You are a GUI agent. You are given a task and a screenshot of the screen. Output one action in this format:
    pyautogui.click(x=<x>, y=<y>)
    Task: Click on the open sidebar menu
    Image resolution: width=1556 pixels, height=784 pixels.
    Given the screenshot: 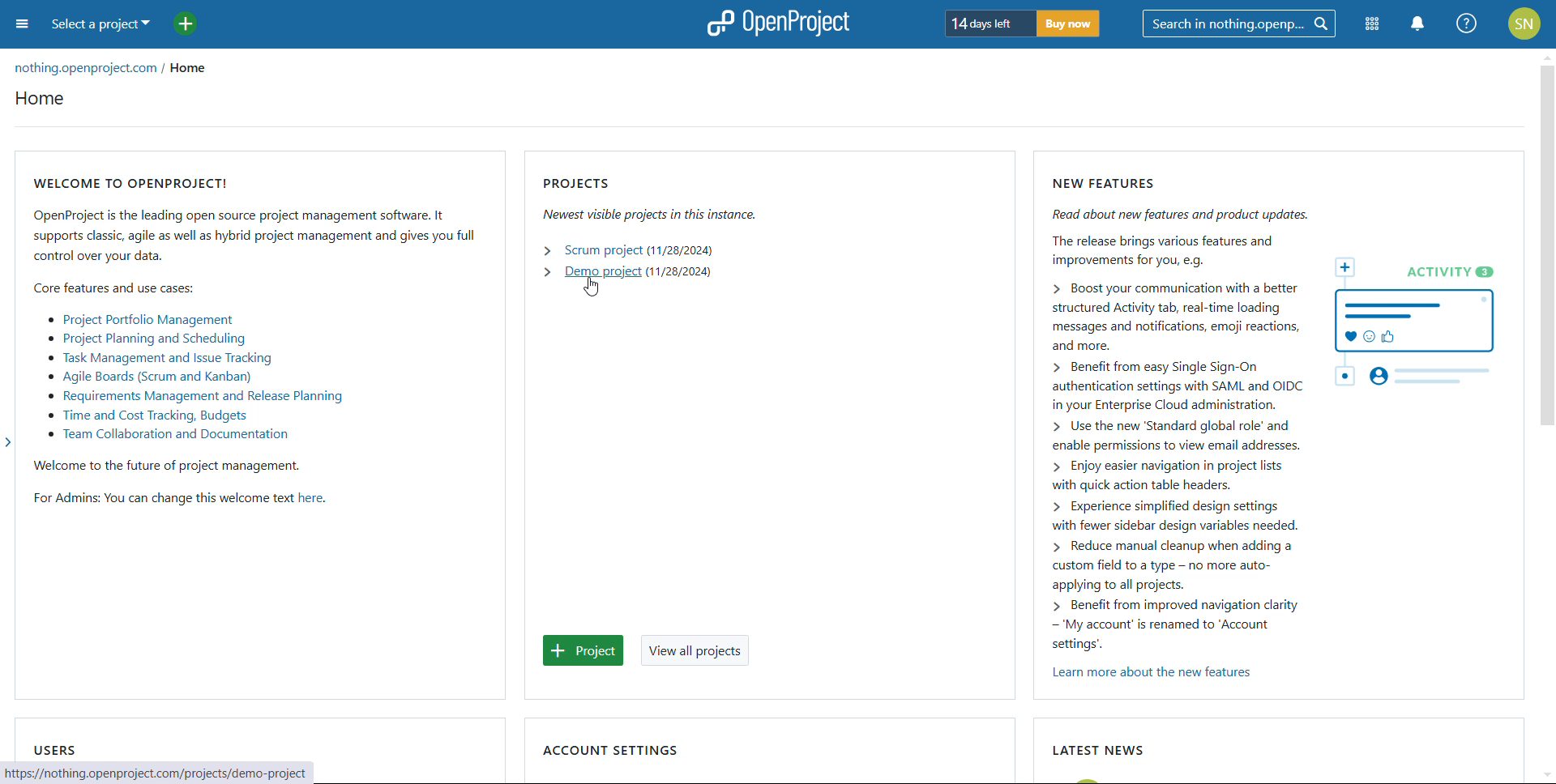 What is the action you would take?
    pyautogui.click(x=24, y=23)
    